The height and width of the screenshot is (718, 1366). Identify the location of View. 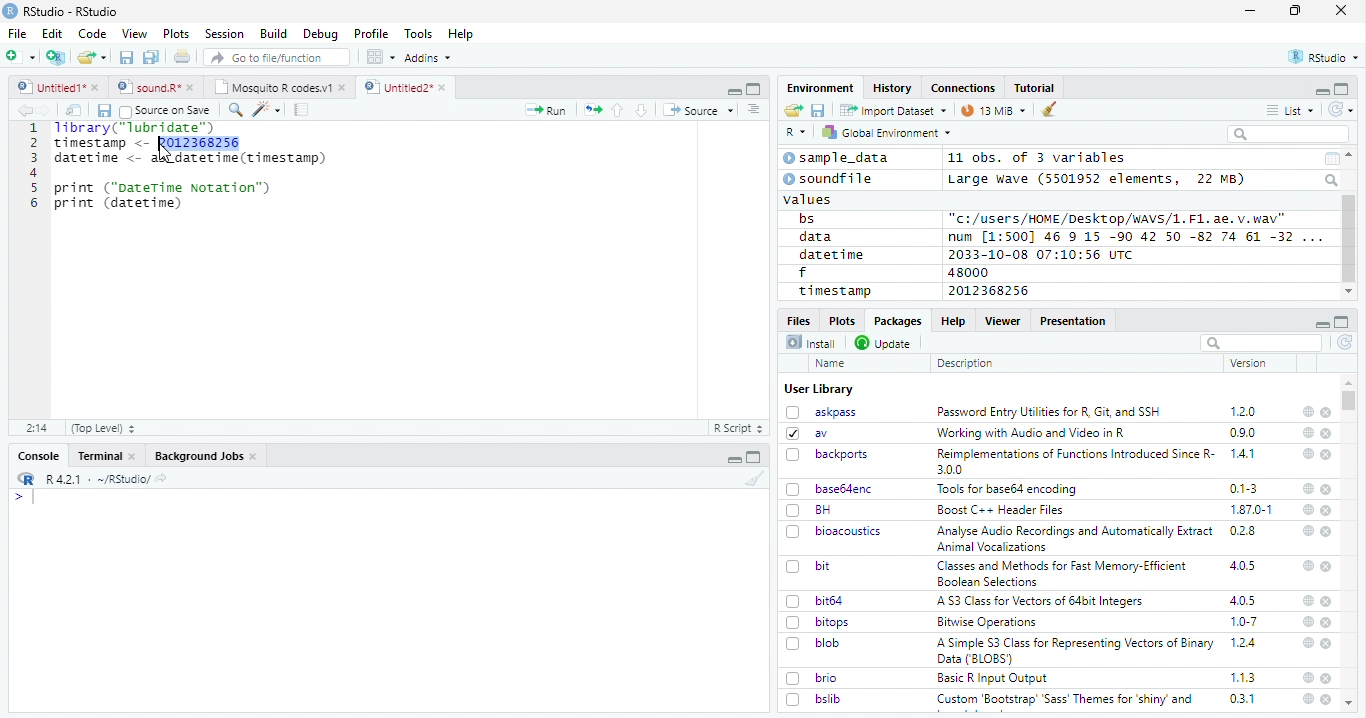
(135, 34).